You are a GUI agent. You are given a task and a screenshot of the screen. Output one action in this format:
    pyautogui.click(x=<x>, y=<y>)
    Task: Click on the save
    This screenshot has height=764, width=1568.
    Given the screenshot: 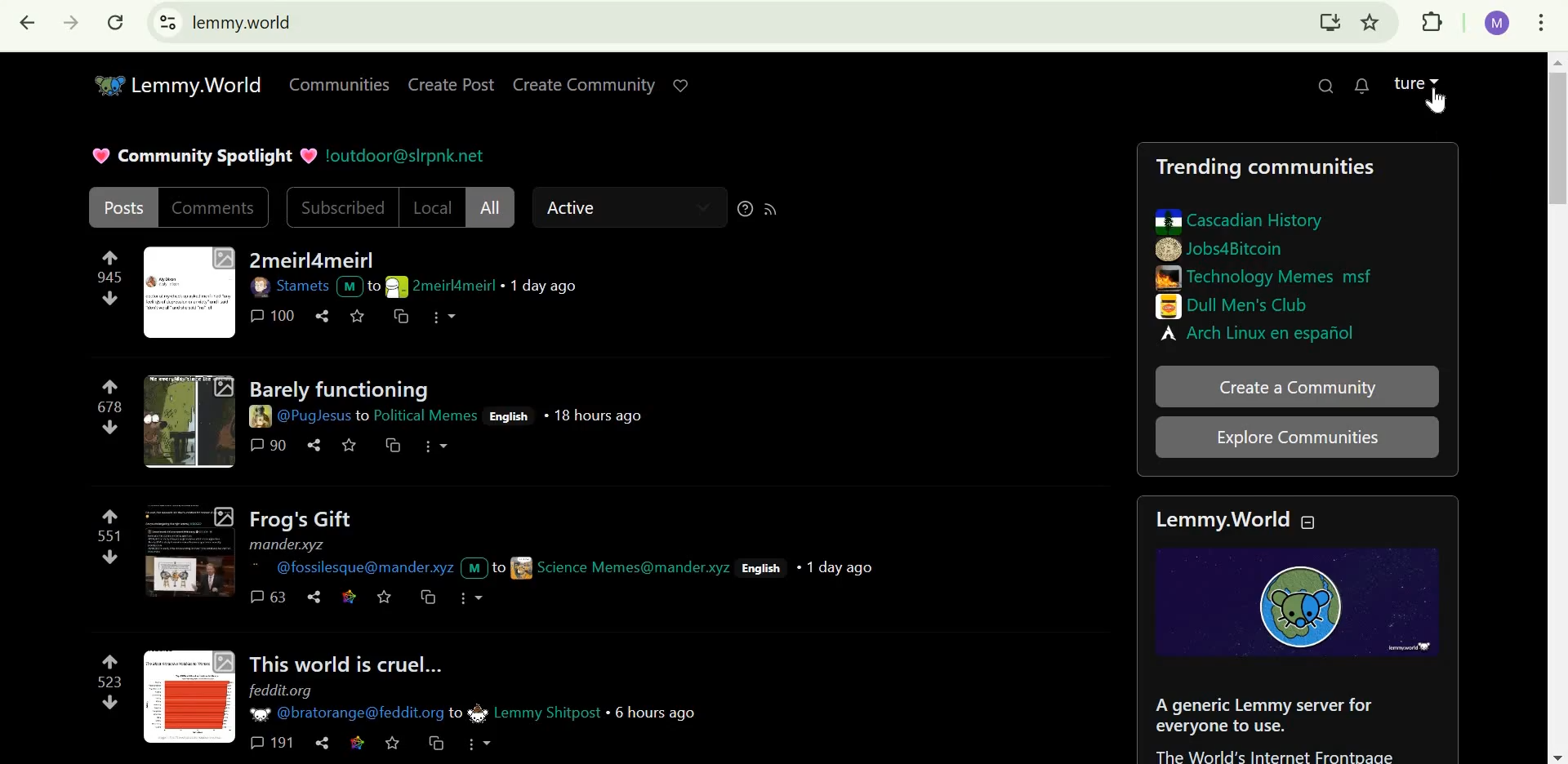 What is the action you would take?
    pyautogui.click(x=359, y=316)
    